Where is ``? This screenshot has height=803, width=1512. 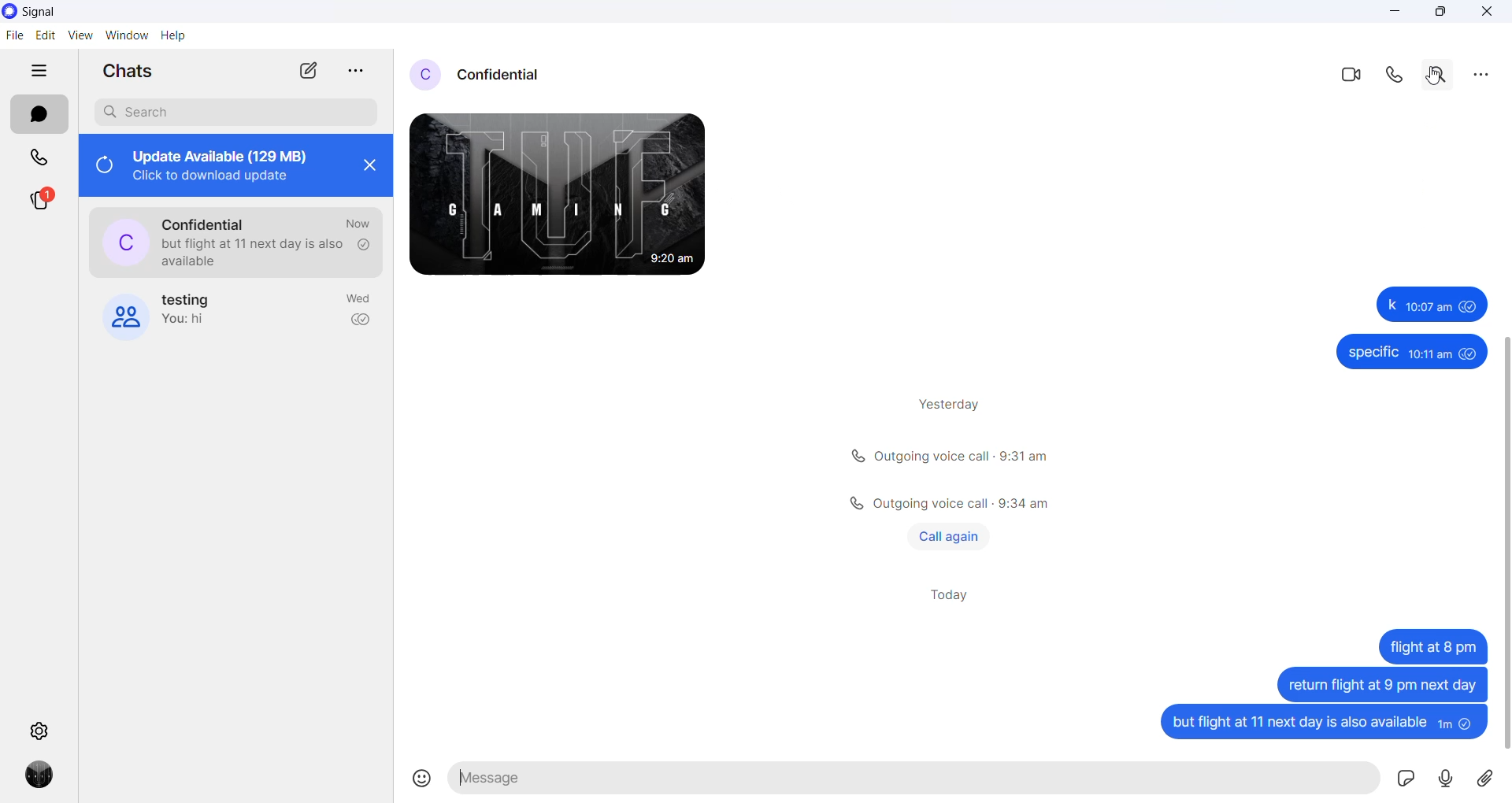
 is located at coordinates (1380, 683).